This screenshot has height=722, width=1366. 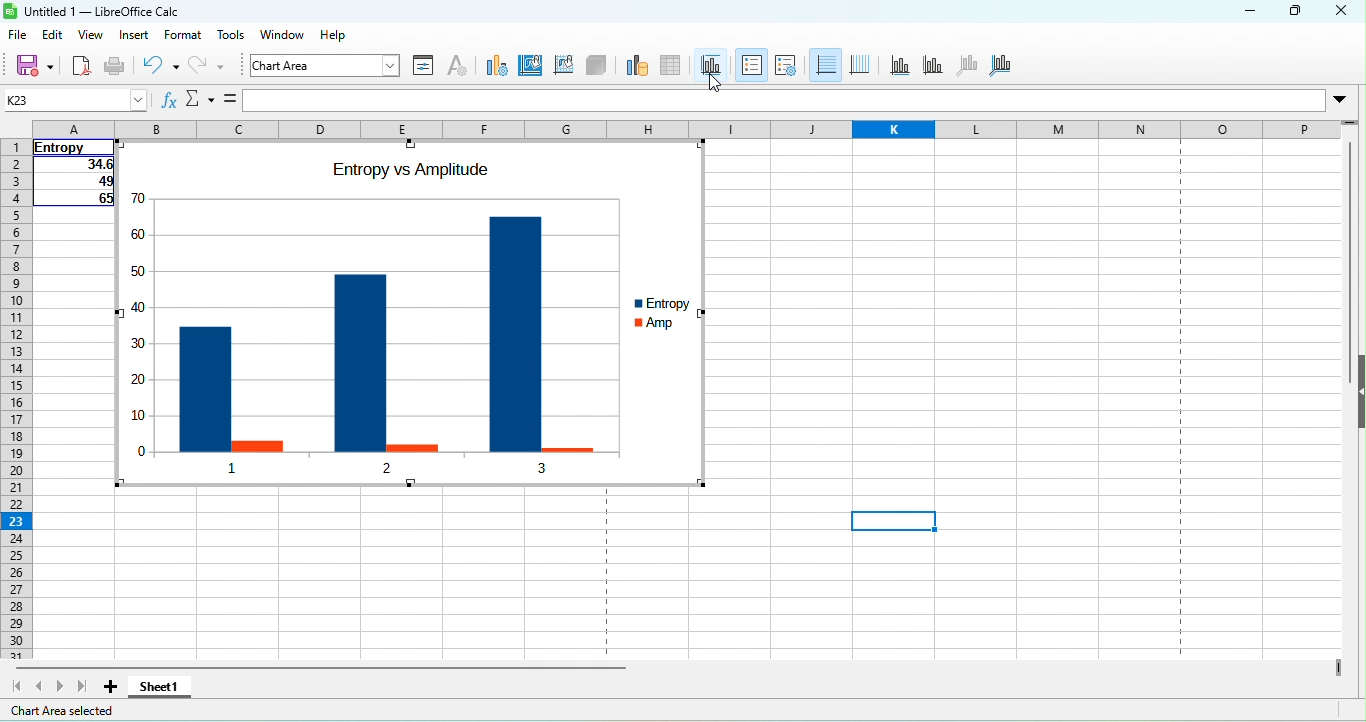 I want to click on edit, so click(x=52, y=35).